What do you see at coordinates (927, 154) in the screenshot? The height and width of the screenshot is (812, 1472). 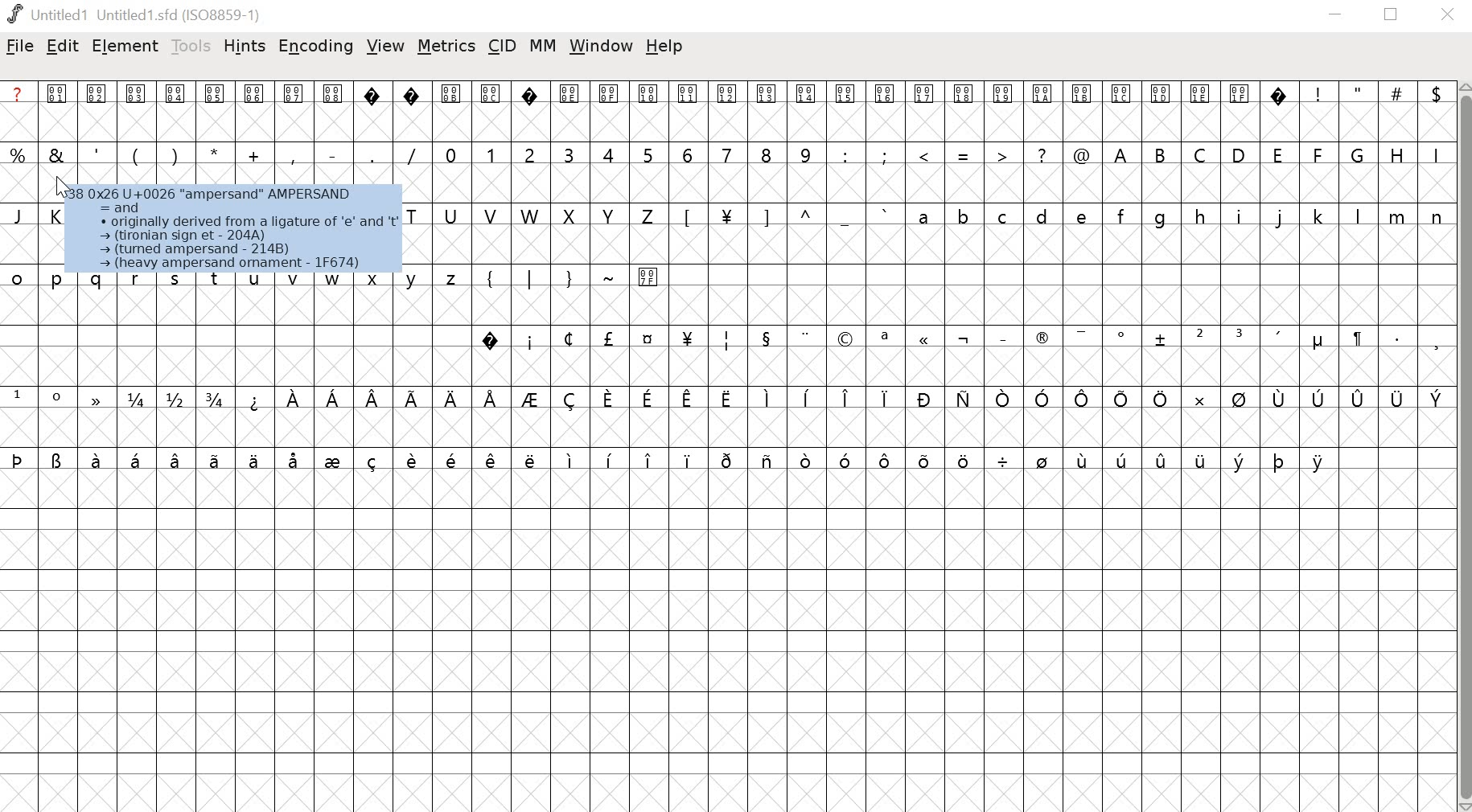 I see `<` at bounding box center [927, 154].